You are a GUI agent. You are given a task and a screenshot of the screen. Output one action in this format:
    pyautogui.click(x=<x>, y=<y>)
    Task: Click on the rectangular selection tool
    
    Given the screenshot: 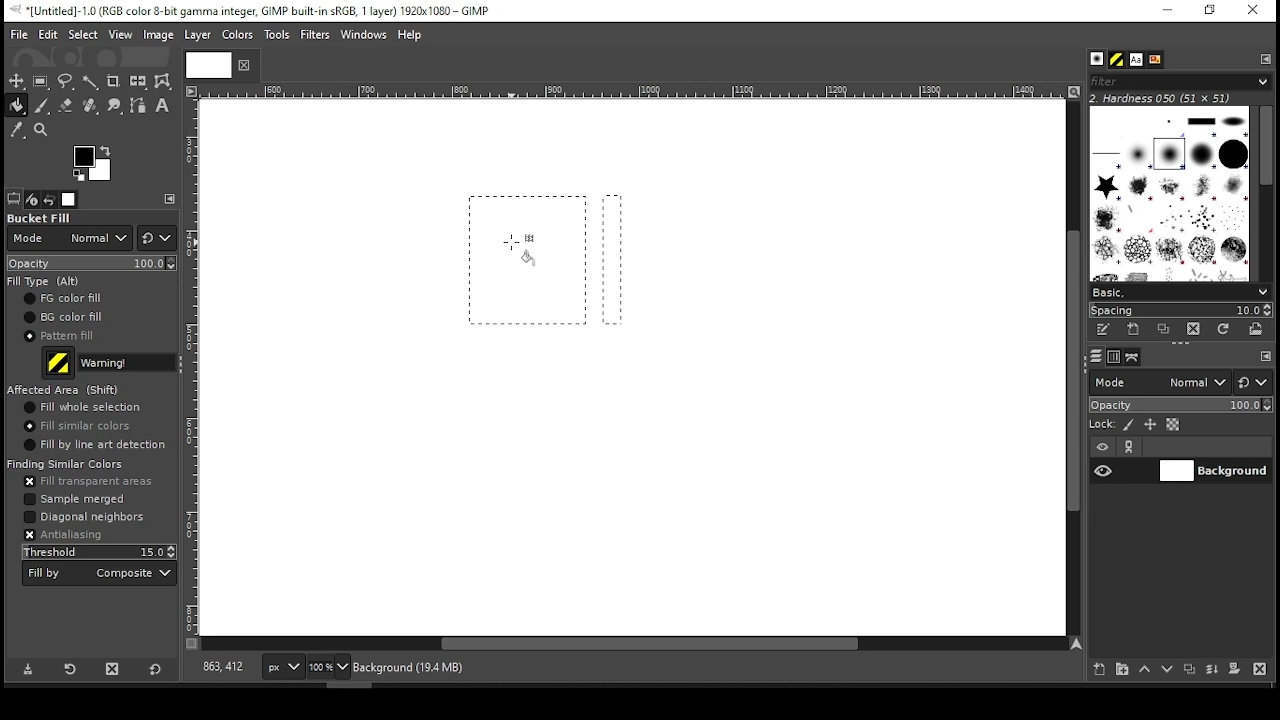 What is the action you would take?
    pyautogui.click(x=43, y=81)
    